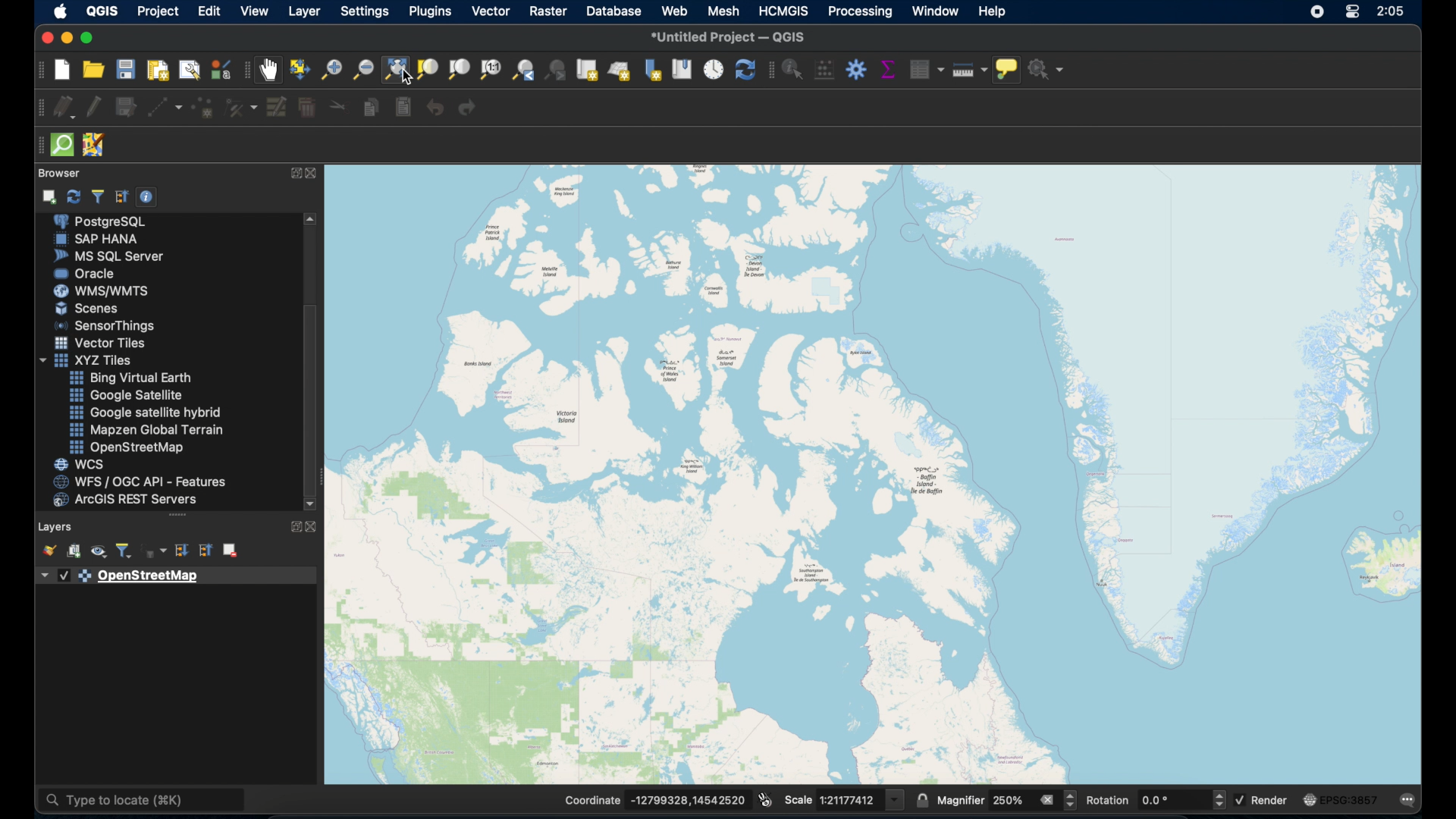 The image size is (1456, 819). Describe the element at coordinates (469, 106) in the screenshot. I see `redo` at that location.